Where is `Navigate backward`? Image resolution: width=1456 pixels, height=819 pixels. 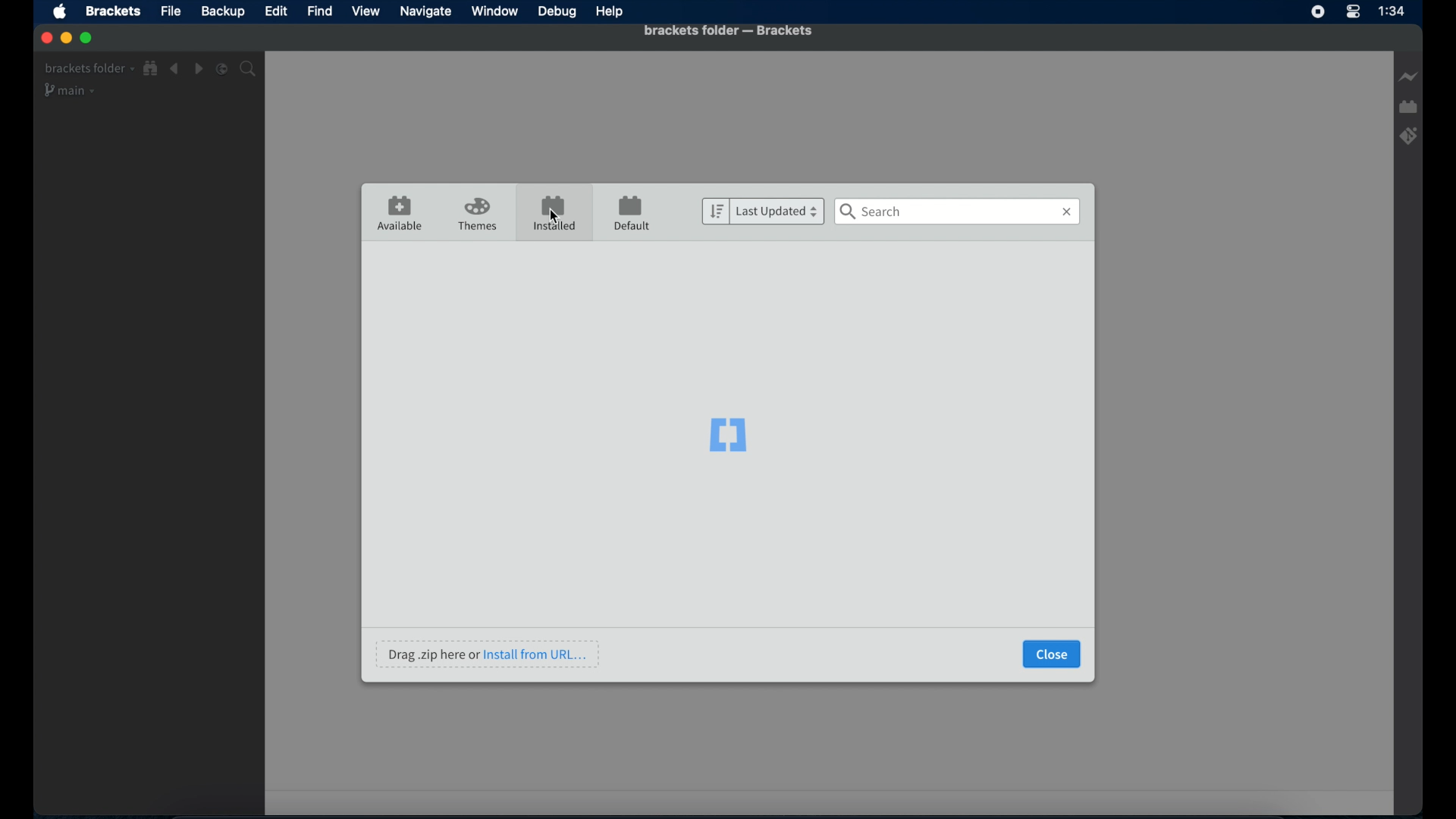 Navigate backward is located at coordinates (174, 69).